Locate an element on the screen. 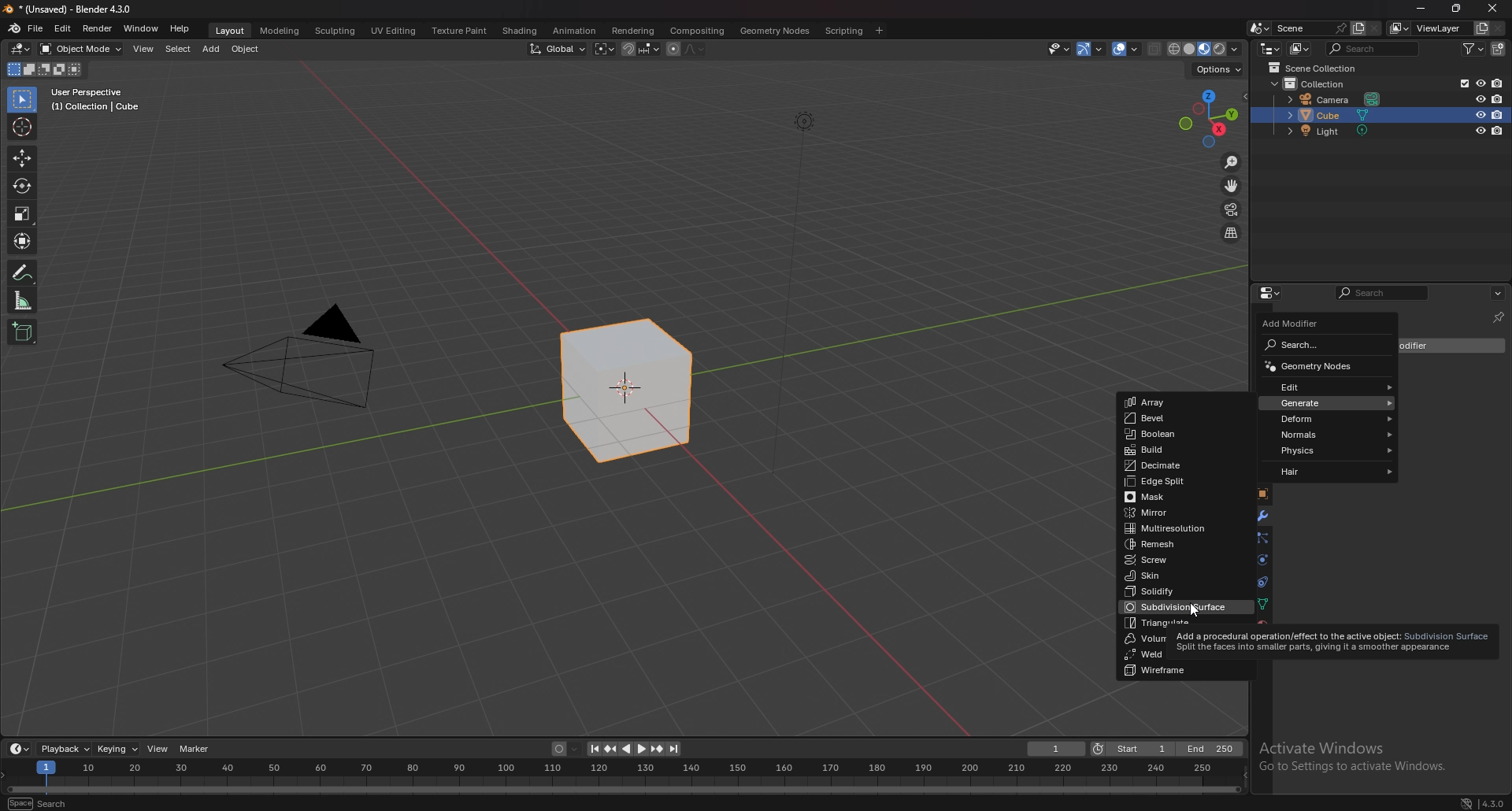 The width and height of the screenshot is (1512, 811). options is located at coordinates (1218, 69).